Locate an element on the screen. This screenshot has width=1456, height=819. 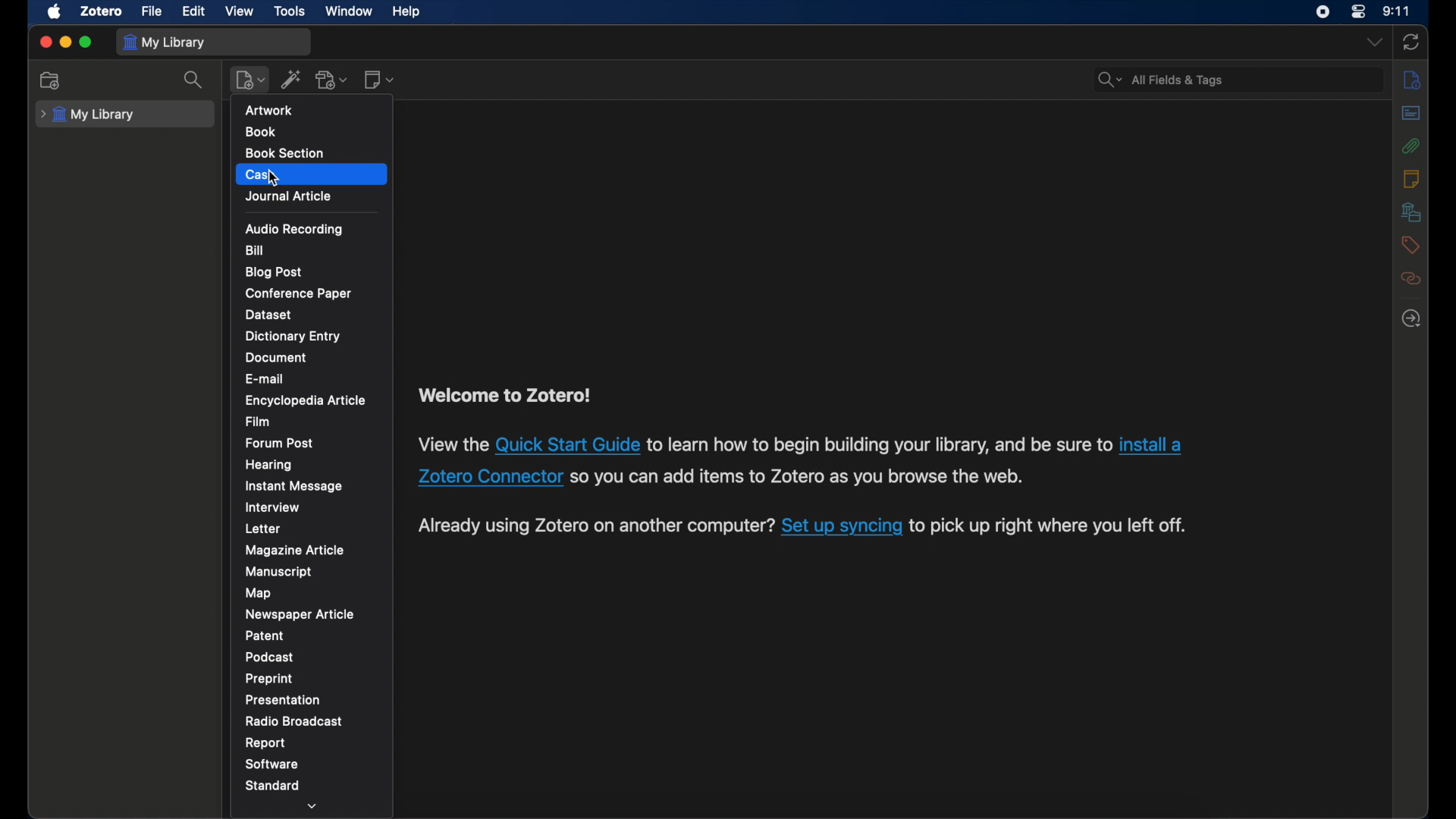
patent is located at coordinates (265, 635).